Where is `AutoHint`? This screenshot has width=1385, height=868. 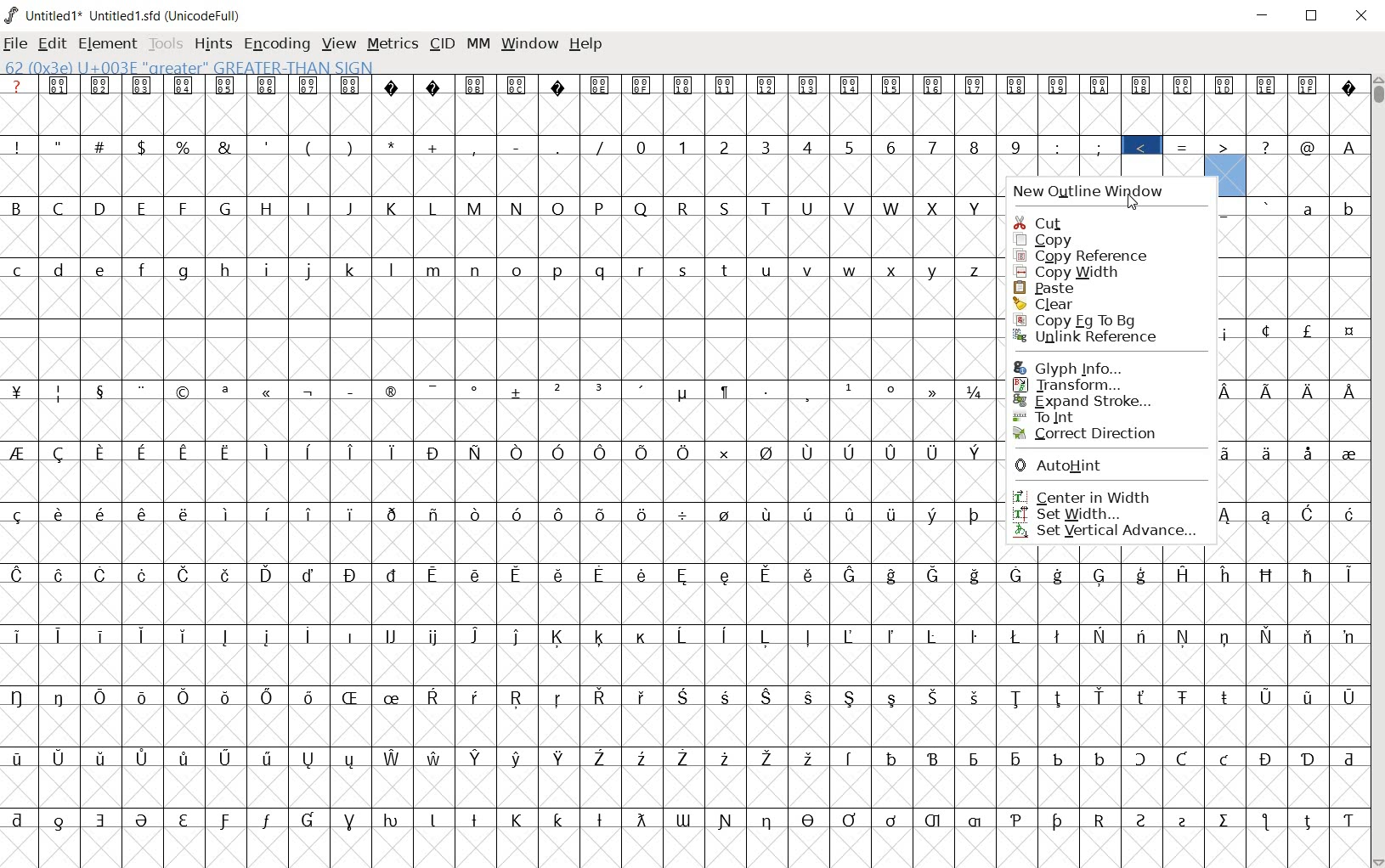 AutoHint is located at coordinates (1097, 465).